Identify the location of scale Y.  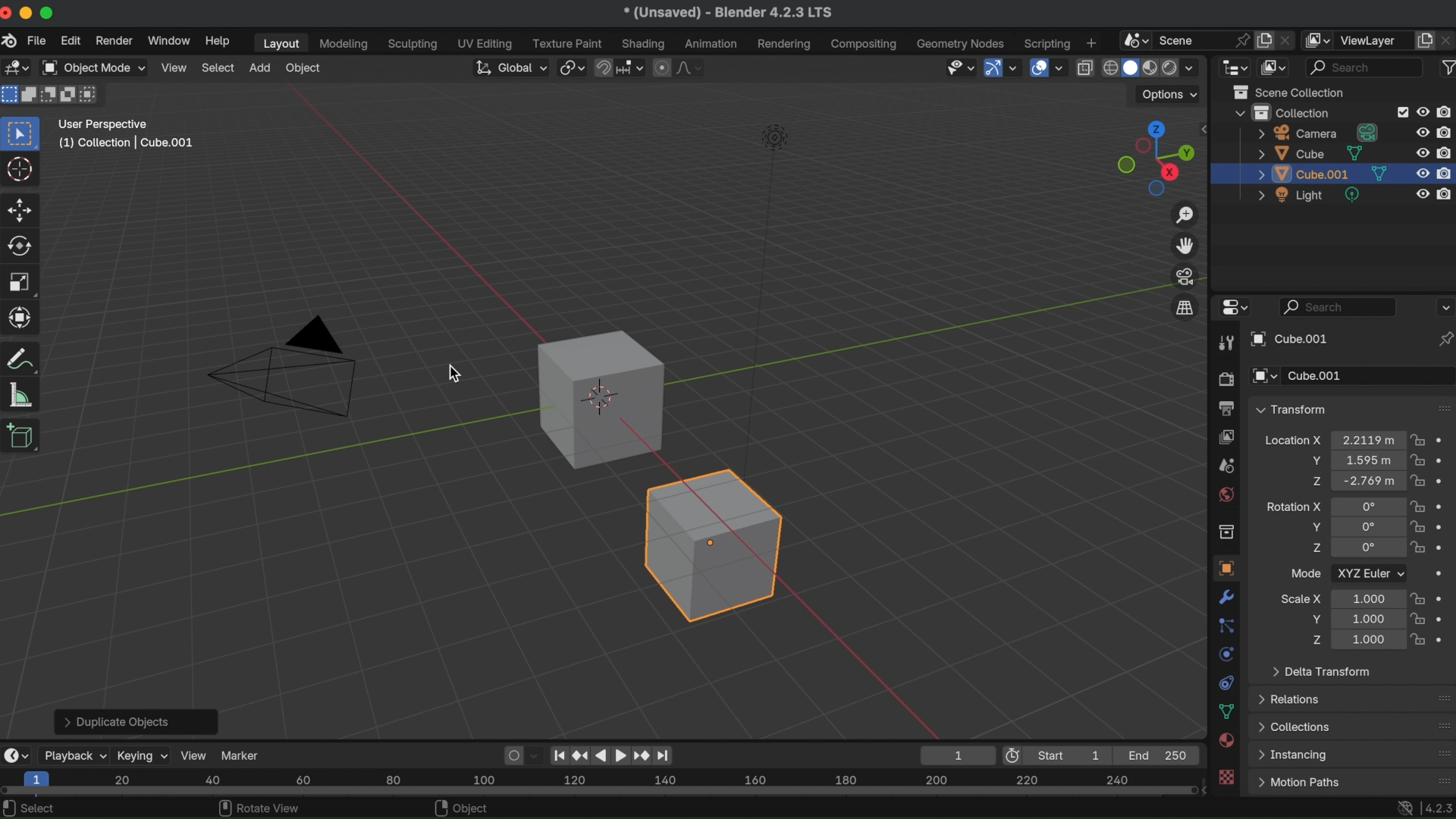
(1312, 619).